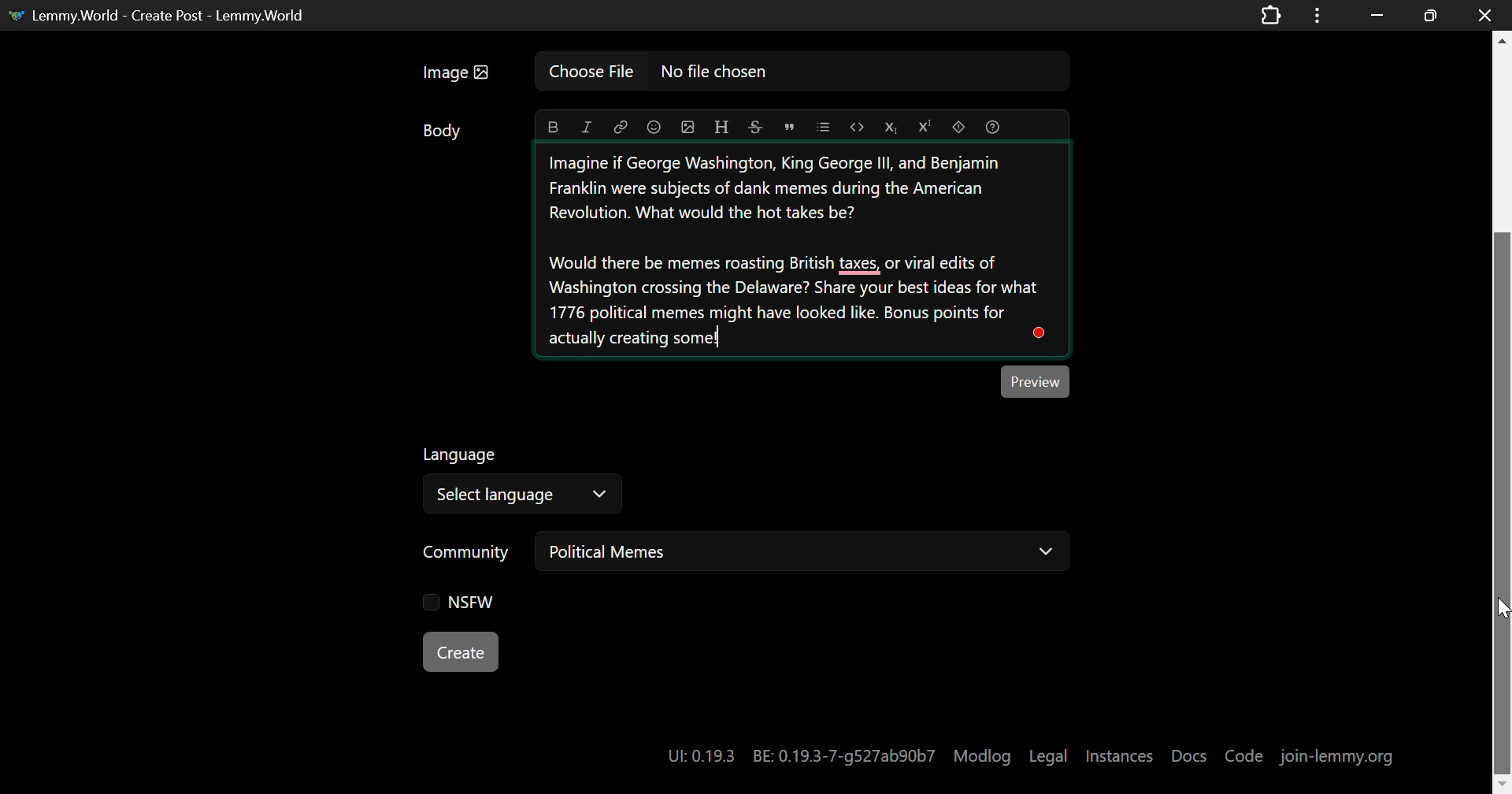  Describe the element at coordinates (688, 127) in the screenshot. I see `Insert Image` at that location.